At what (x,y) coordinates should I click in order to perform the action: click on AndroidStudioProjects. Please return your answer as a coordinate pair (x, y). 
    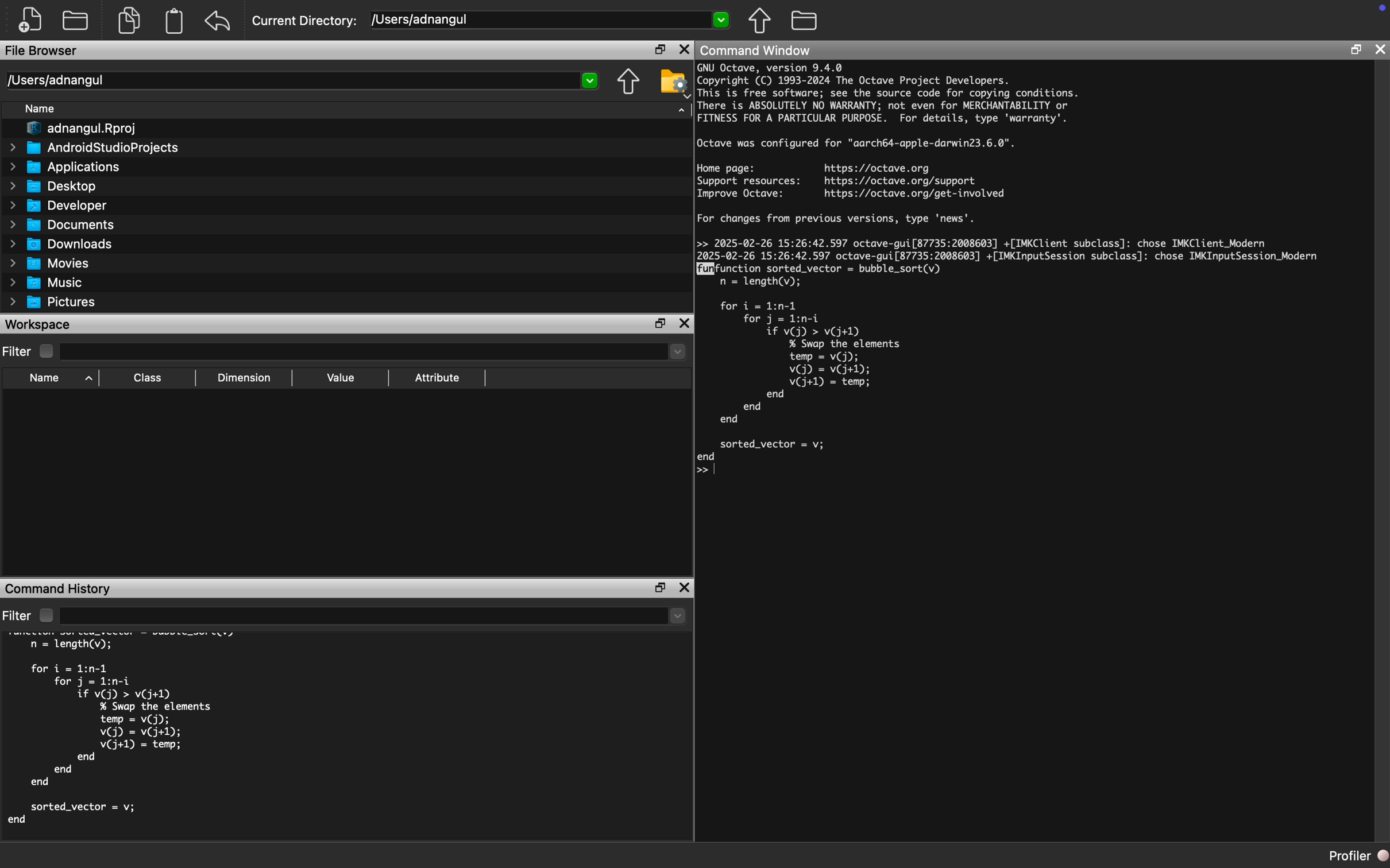
    Looking at the image, I should click on (94, 149).